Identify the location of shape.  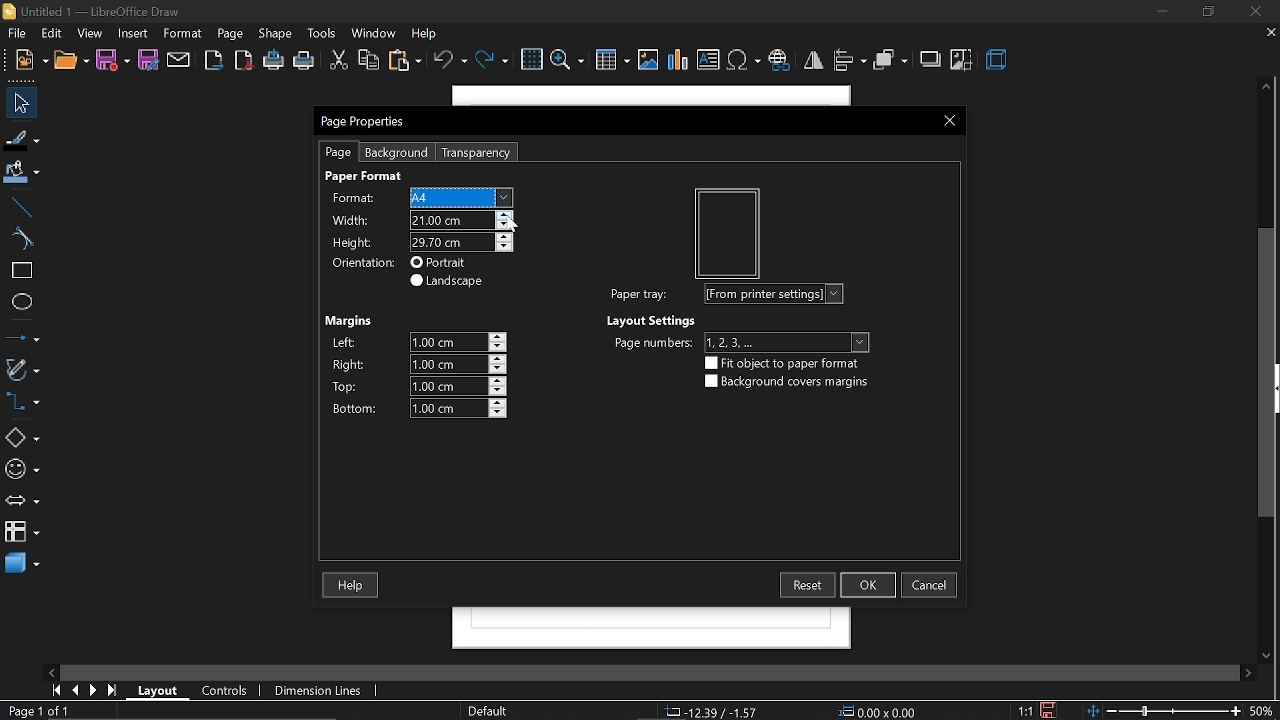
(278, 34).